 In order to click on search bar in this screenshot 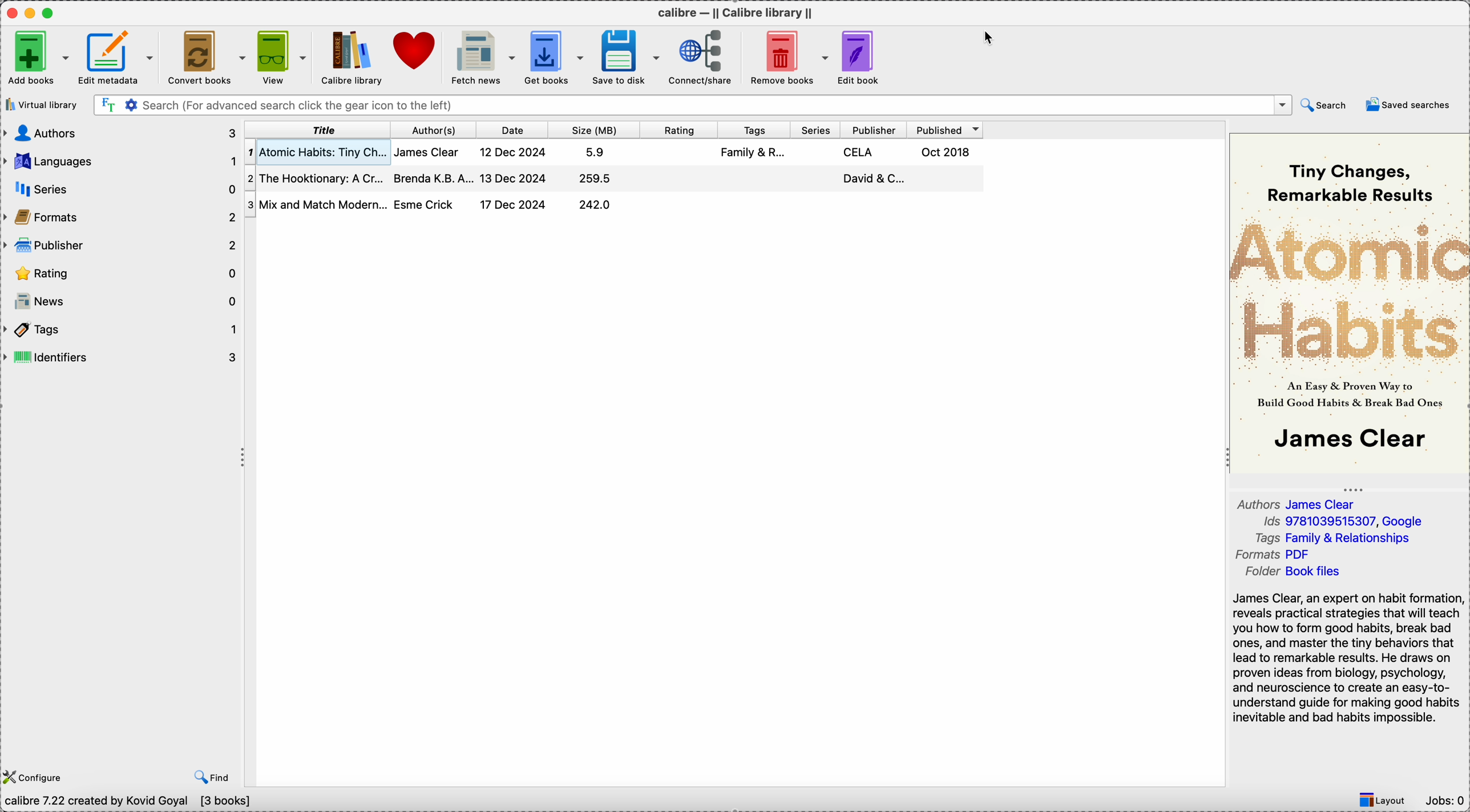, I will do `click(692, 105)`.